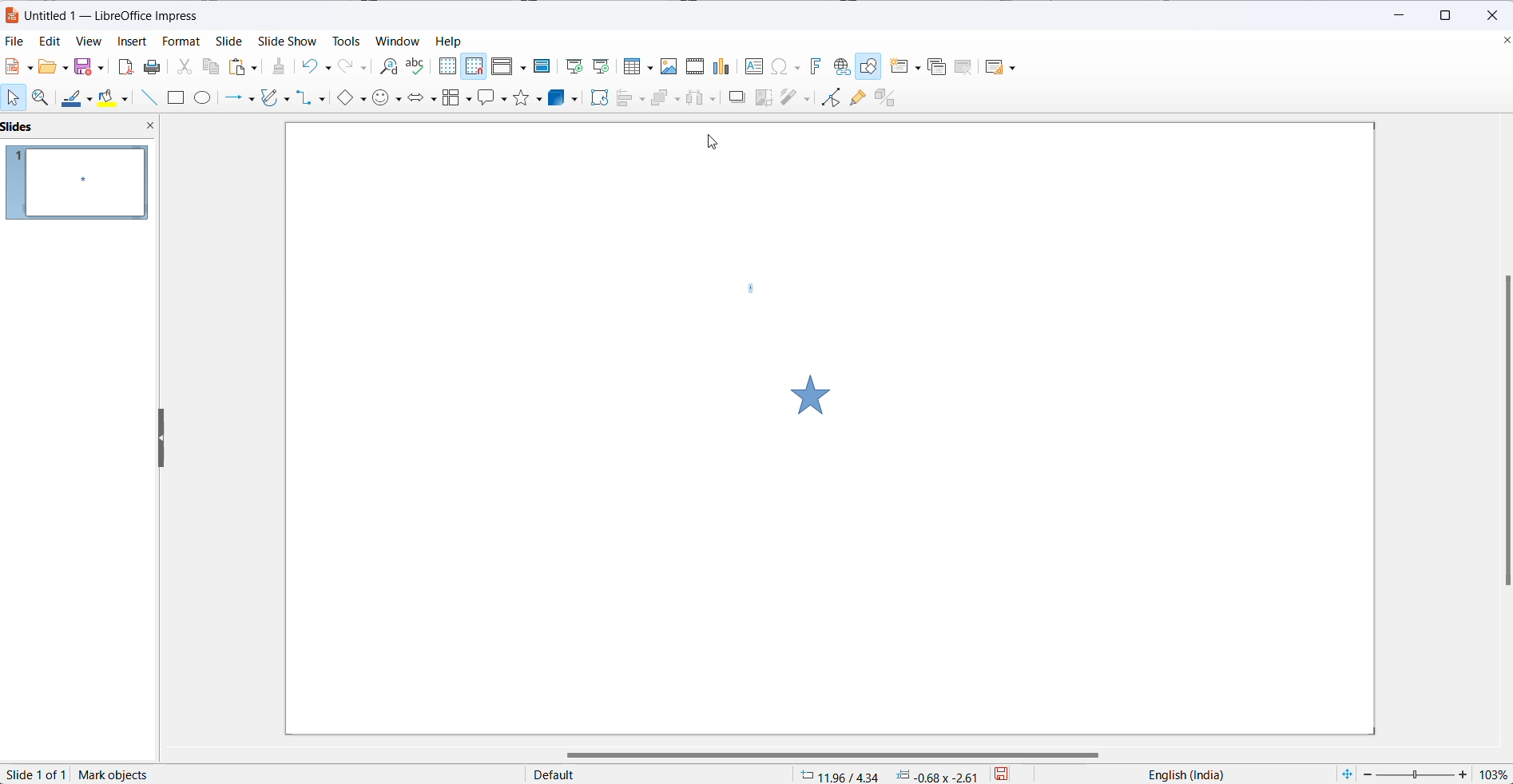  I want to click on filters, so click(794, 97).